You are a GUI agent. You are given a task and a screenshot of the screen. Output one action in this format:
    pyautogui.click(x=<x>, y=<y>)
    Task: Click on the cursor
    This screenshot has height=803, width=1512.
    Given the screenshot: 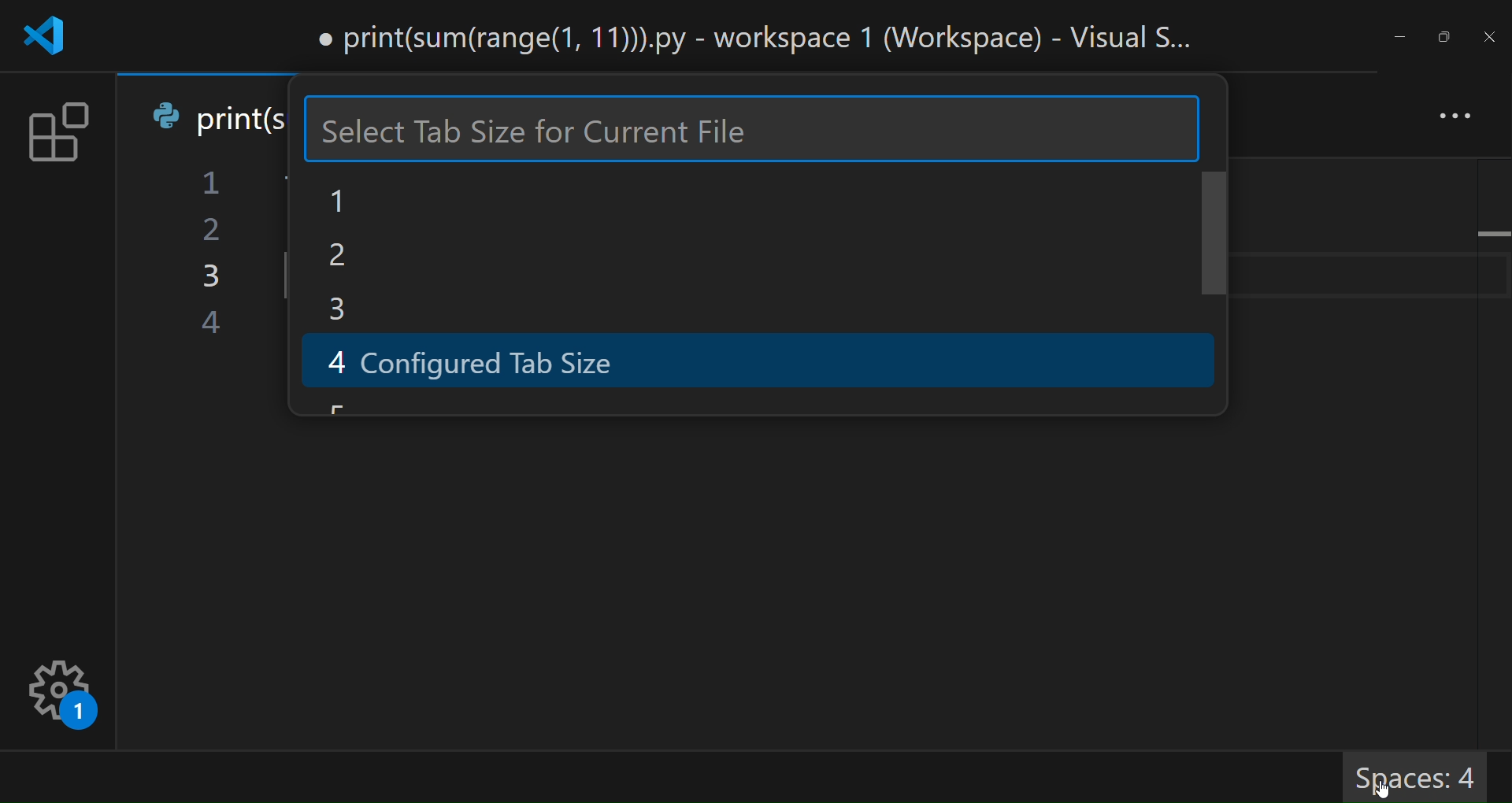 What is the action you would take?
    pyautogui.click(x=1380, y=768)
    